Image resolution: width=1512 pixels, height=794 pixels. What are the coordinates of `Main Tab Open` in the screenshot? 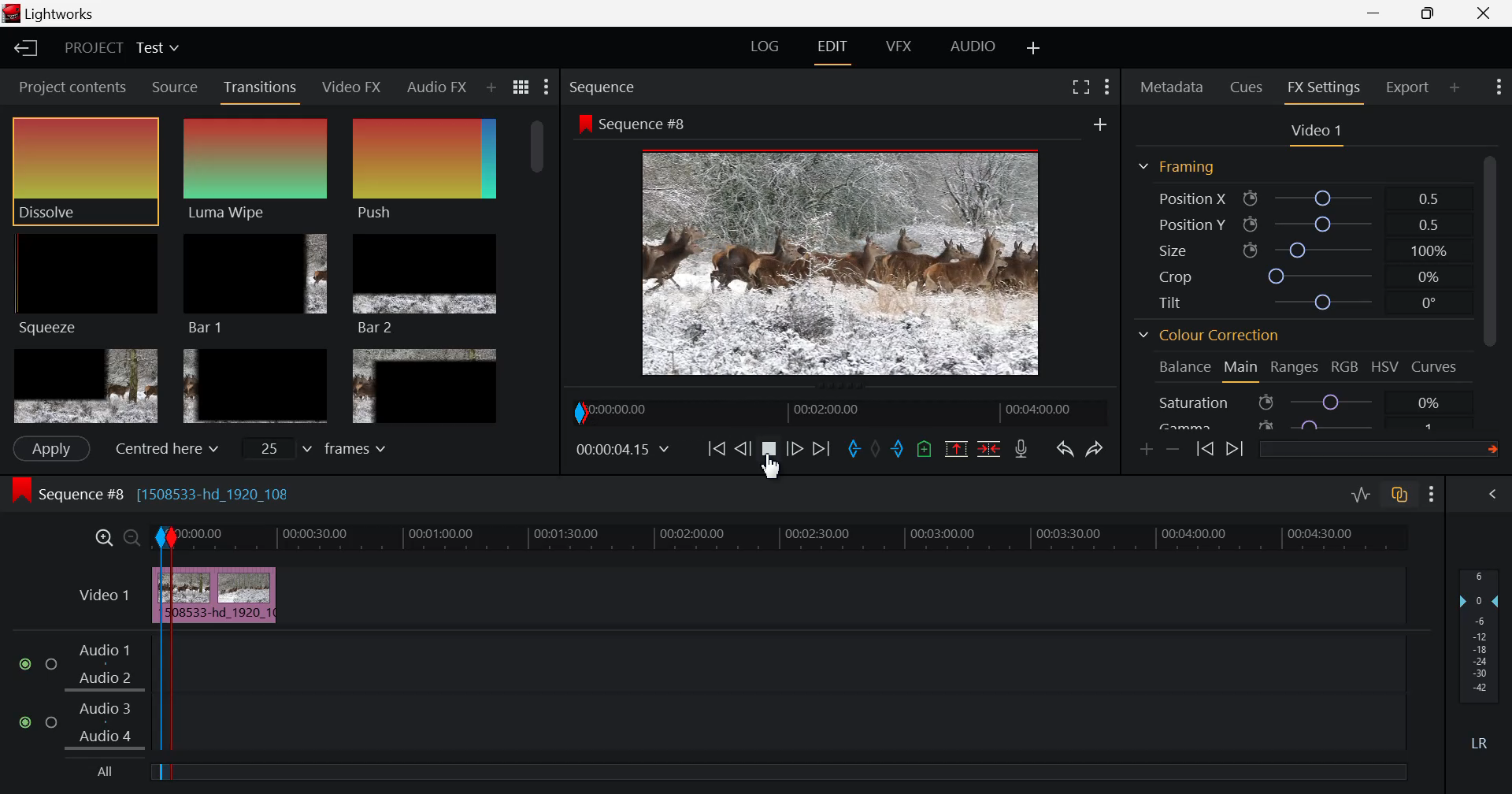 It's located at (1242, 369).